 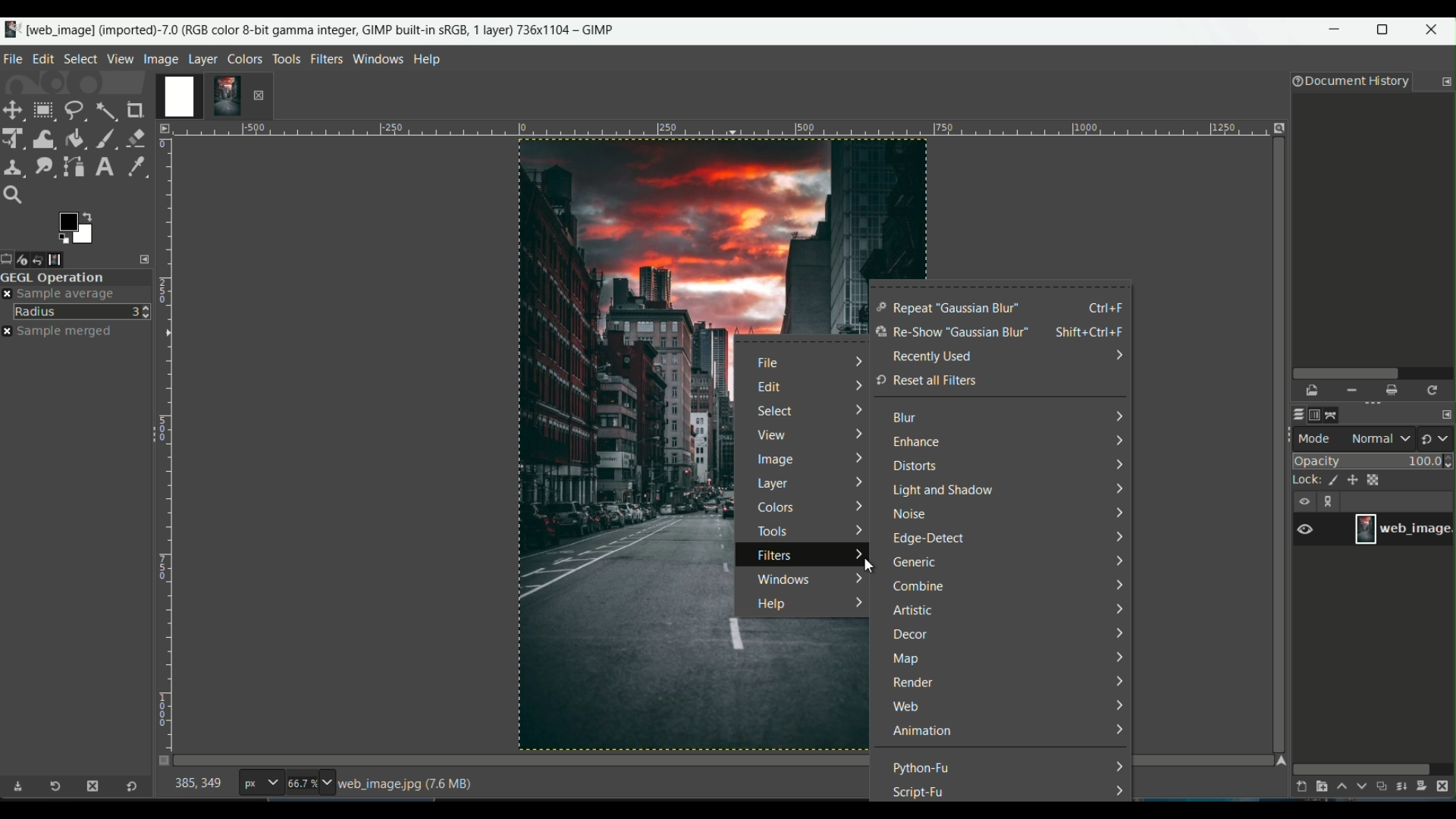 I want to click on eraser tool, so click(x=137, y=136).